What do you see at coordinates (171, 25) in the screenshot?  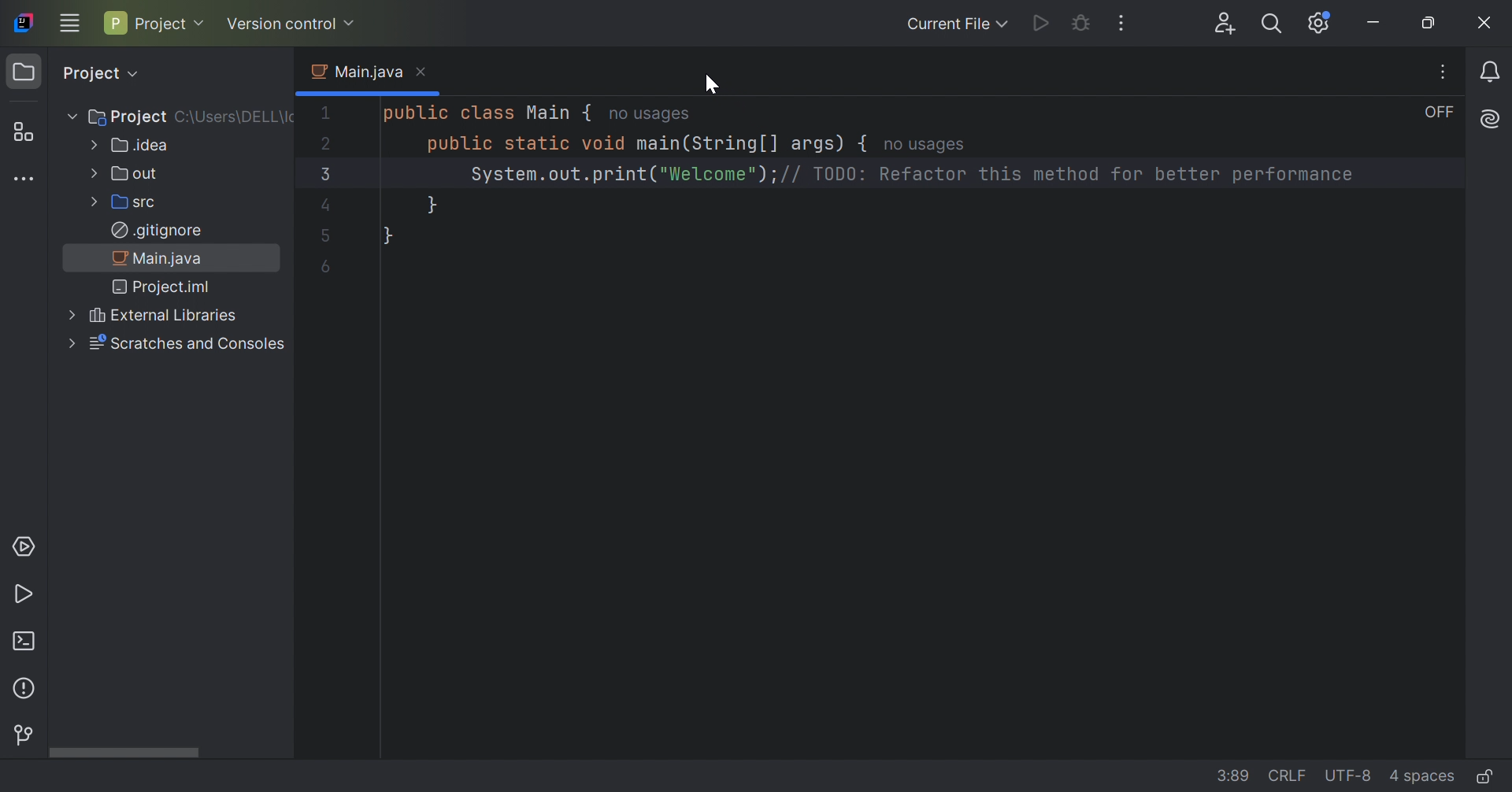 I see `Project` at bounding box center [171, 25].